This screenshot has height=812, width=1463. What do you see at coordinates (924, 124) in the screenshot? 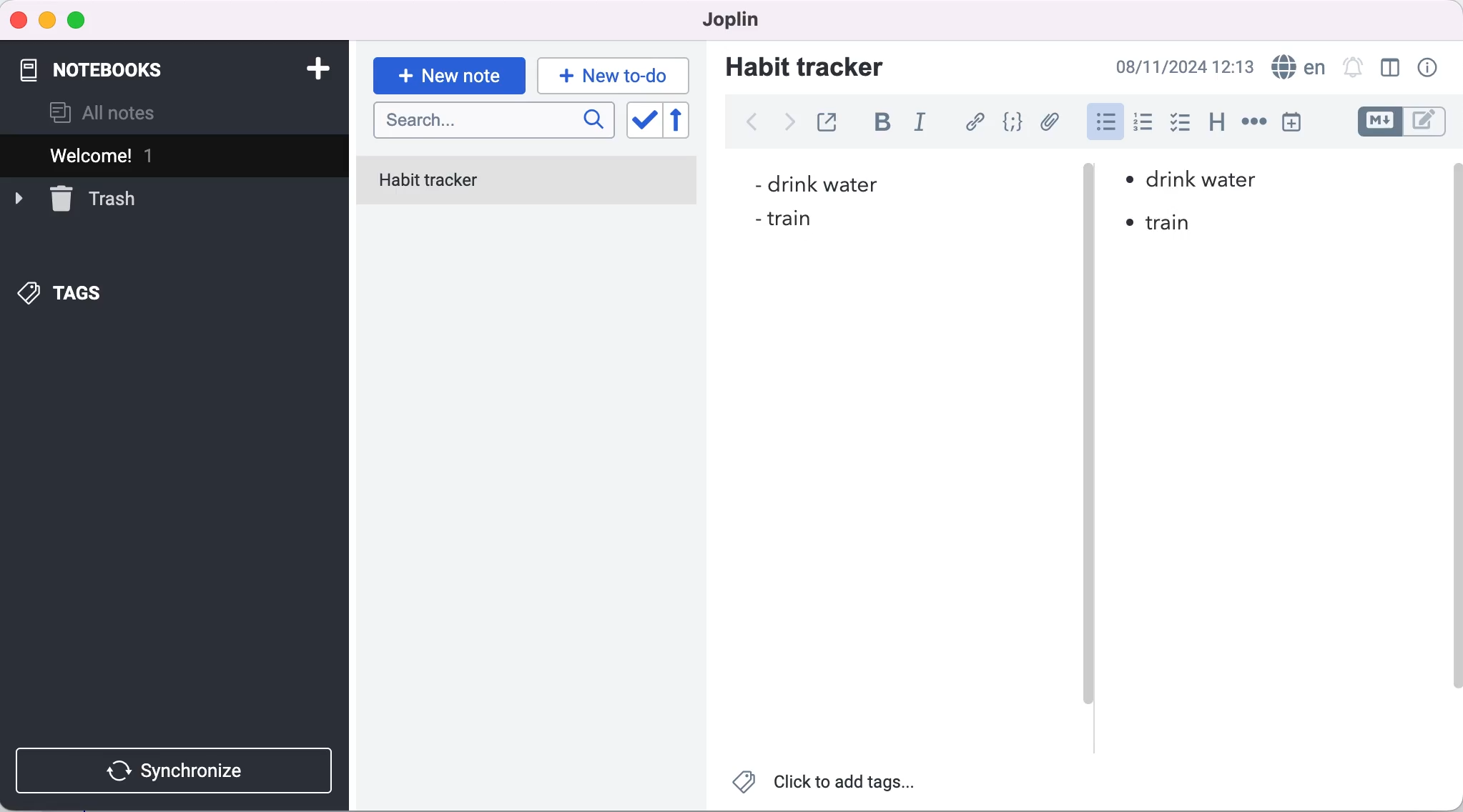
I see `italic` at bounding box center [924, 124].